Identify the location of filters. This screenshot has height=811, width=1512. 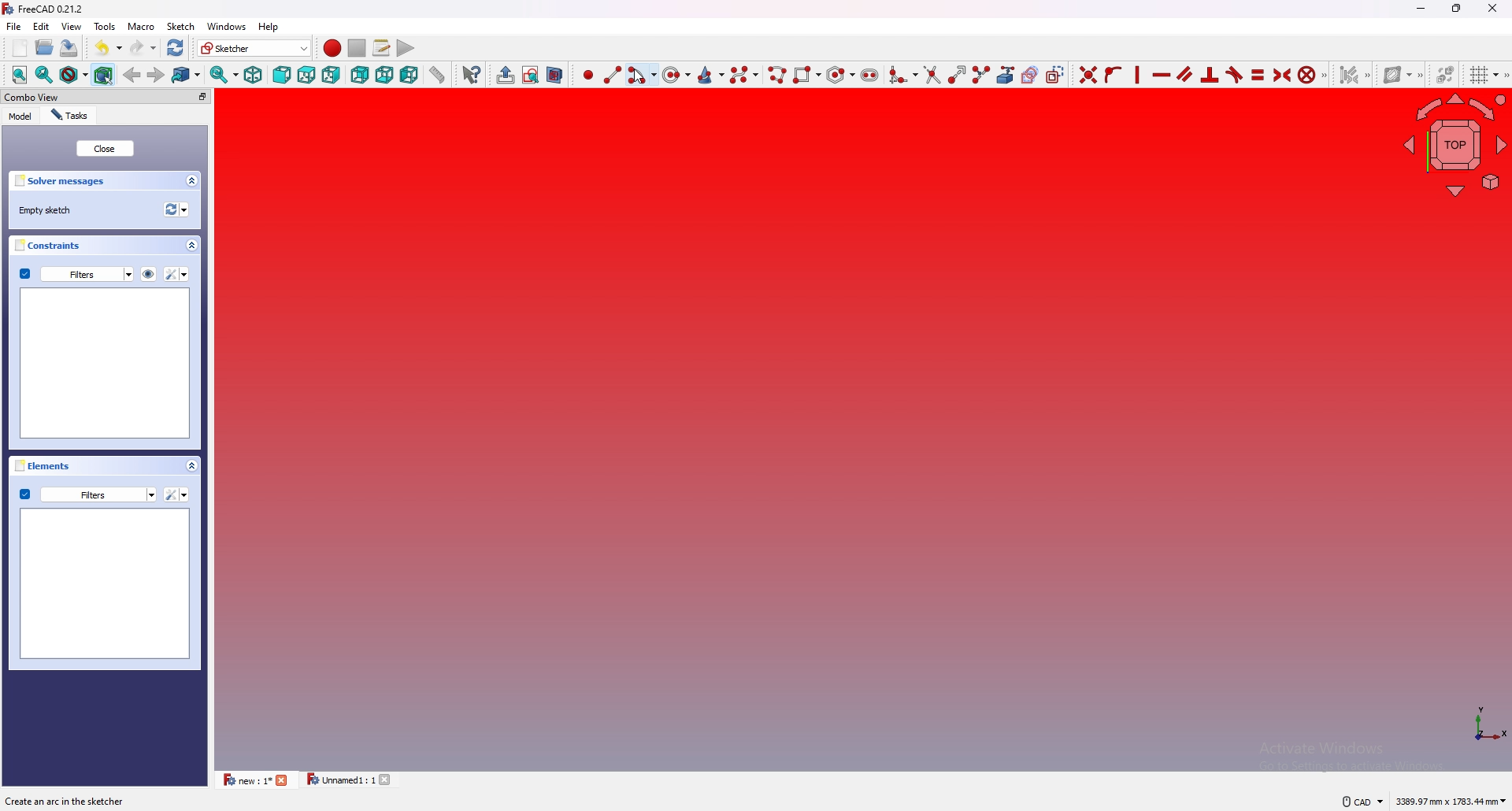
(87, 494).